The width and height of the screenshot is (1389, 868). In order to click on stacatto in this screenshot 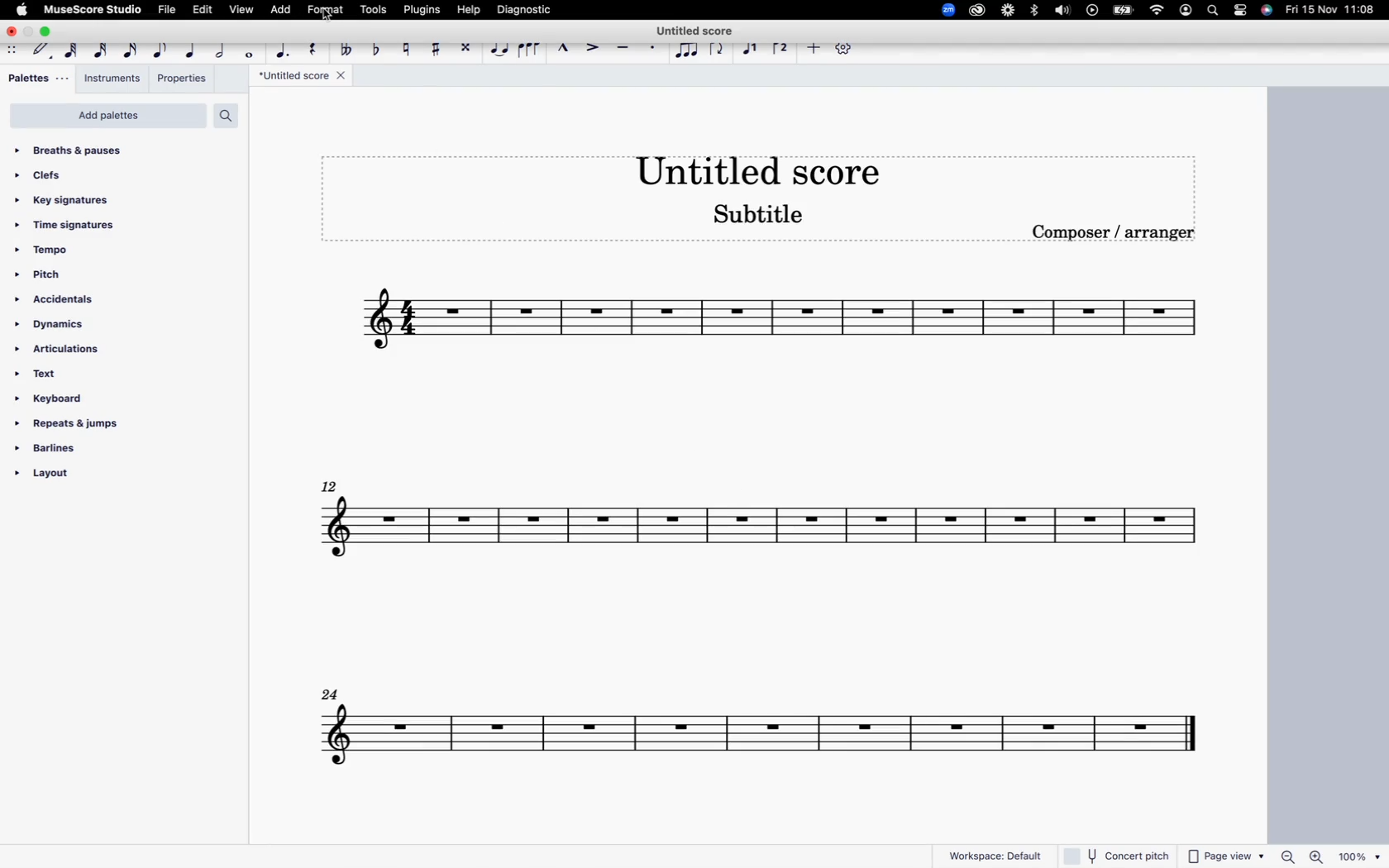, I will do `click(652, 50)`.